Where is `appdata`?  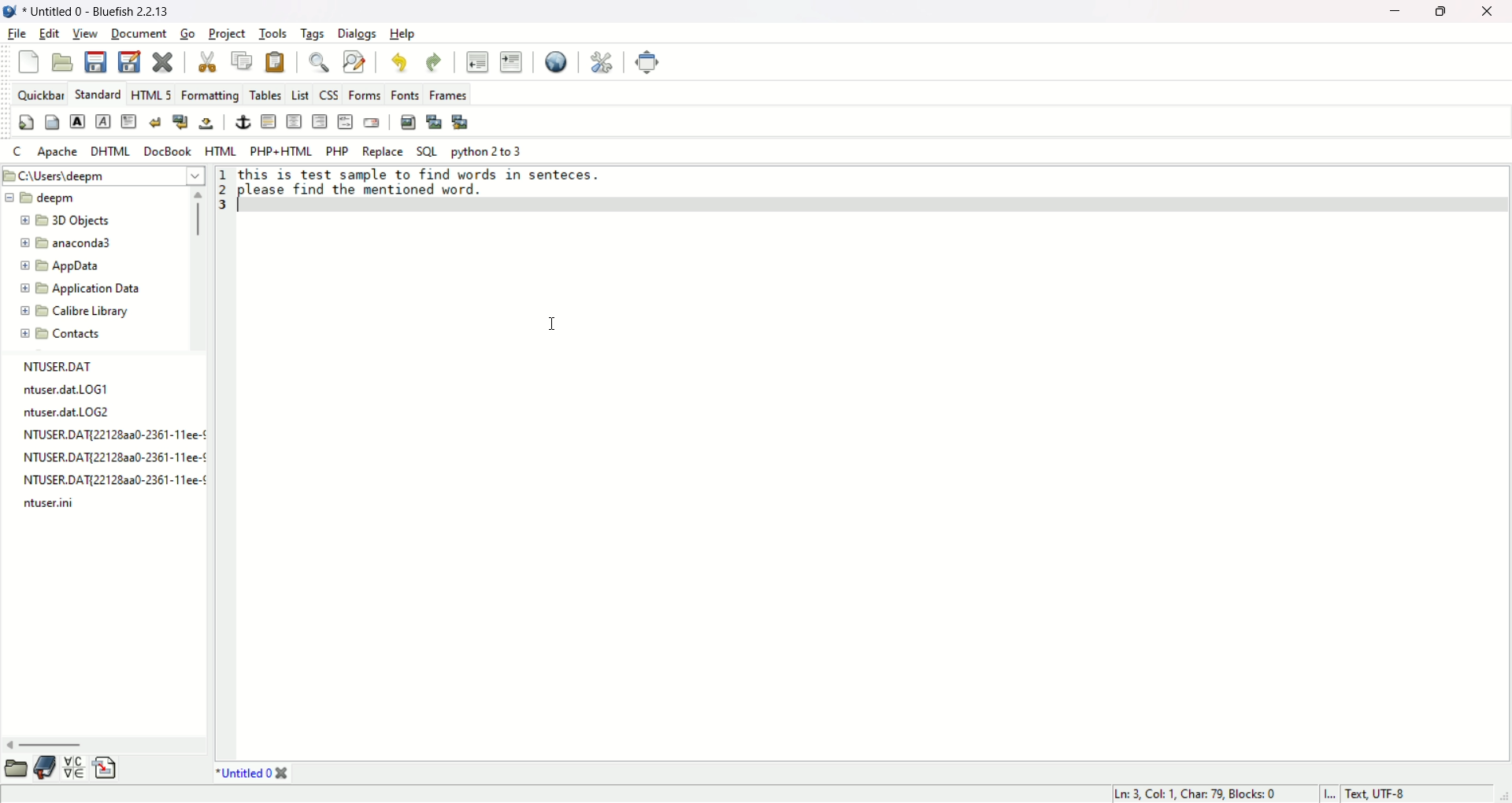
appdata is located at coordinates (58, 265).